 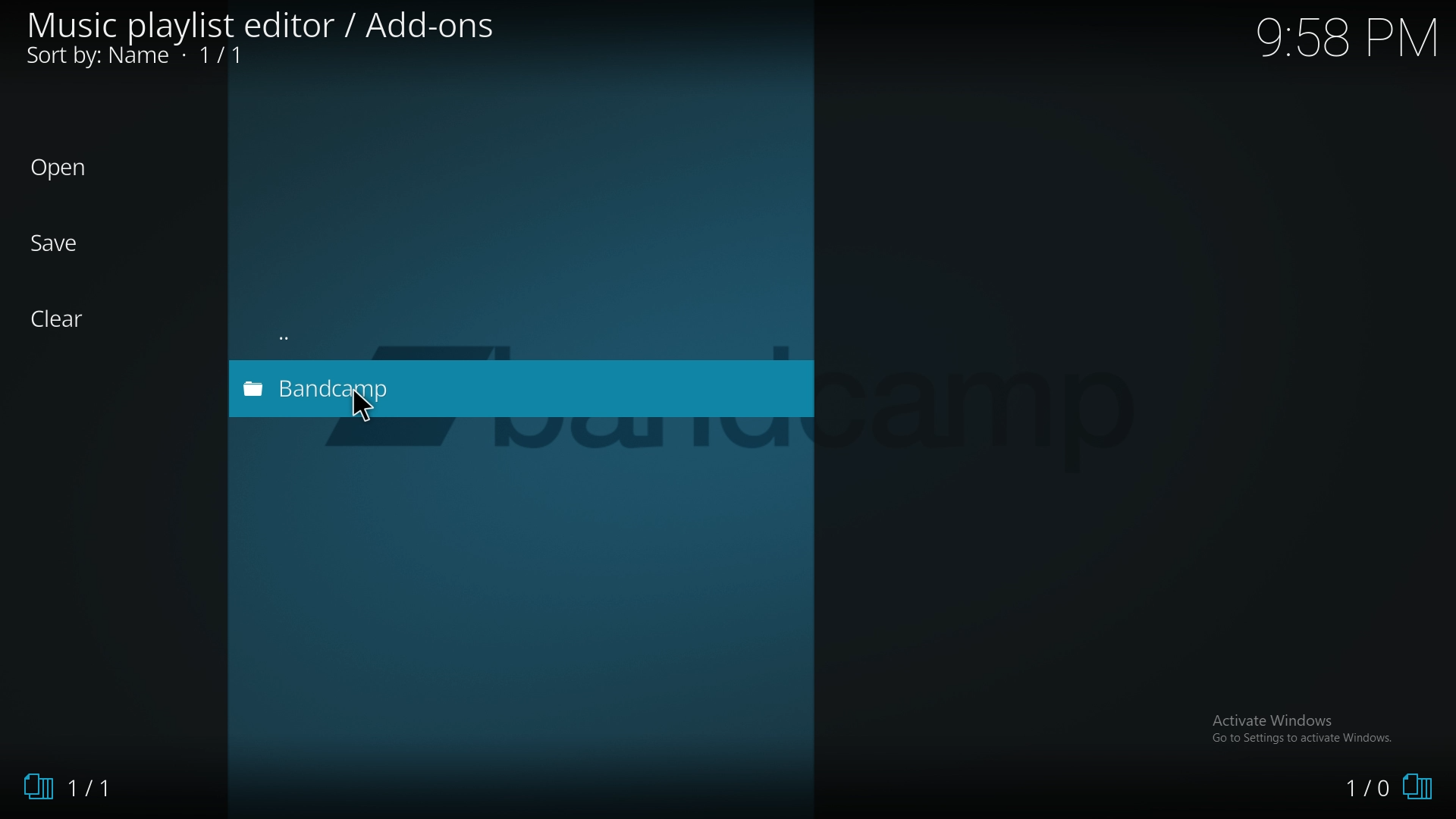 What do you see at coordinates (1349, 43) in the screenshot?
I see `9:58 PM` at bounding box center [1349, 43].